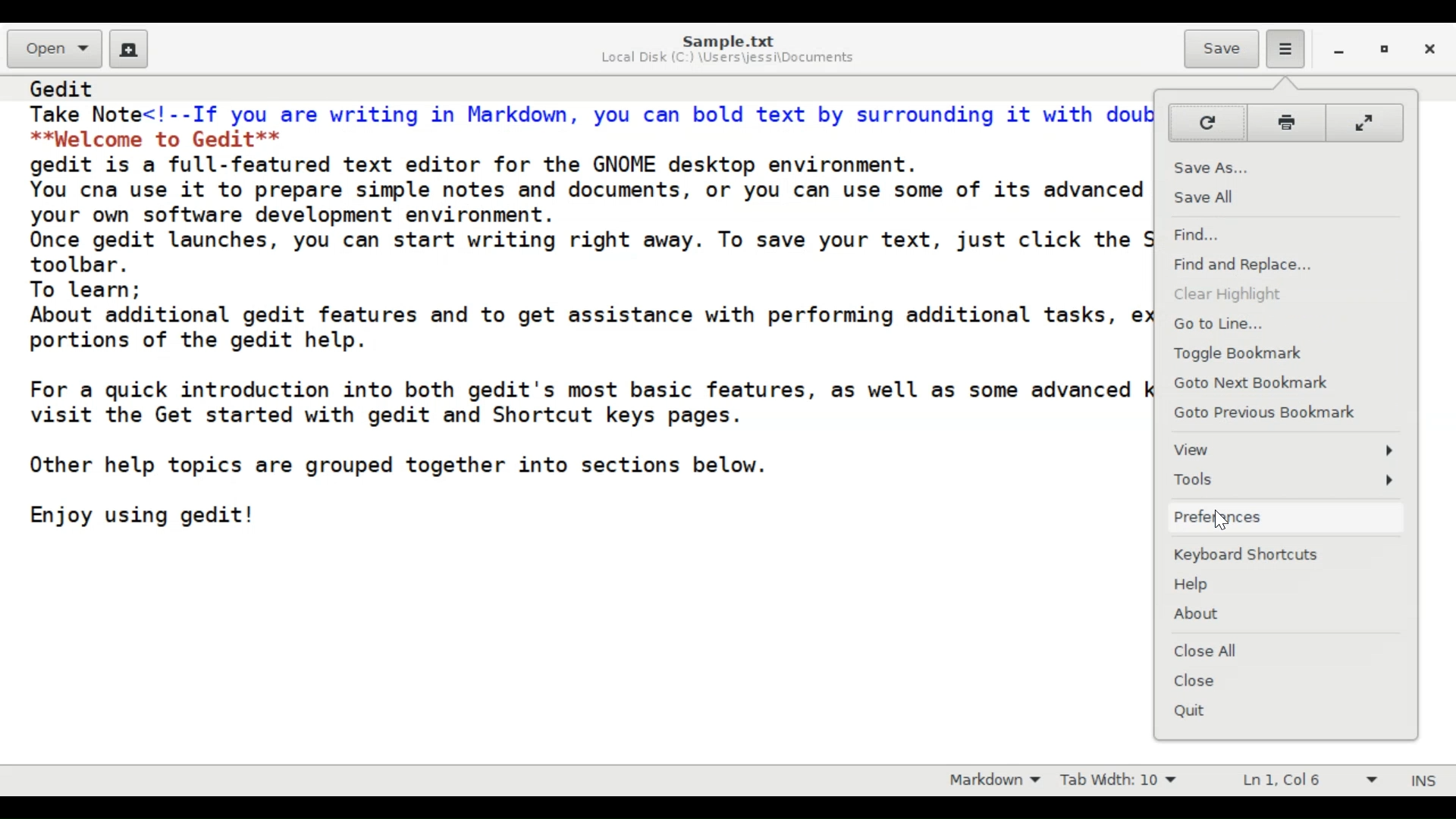 The image size is (1456, 819). What do you see at coordinates (1289, 713) in the screenshot?
I see `Quit` at bounding box center [1289, 713].